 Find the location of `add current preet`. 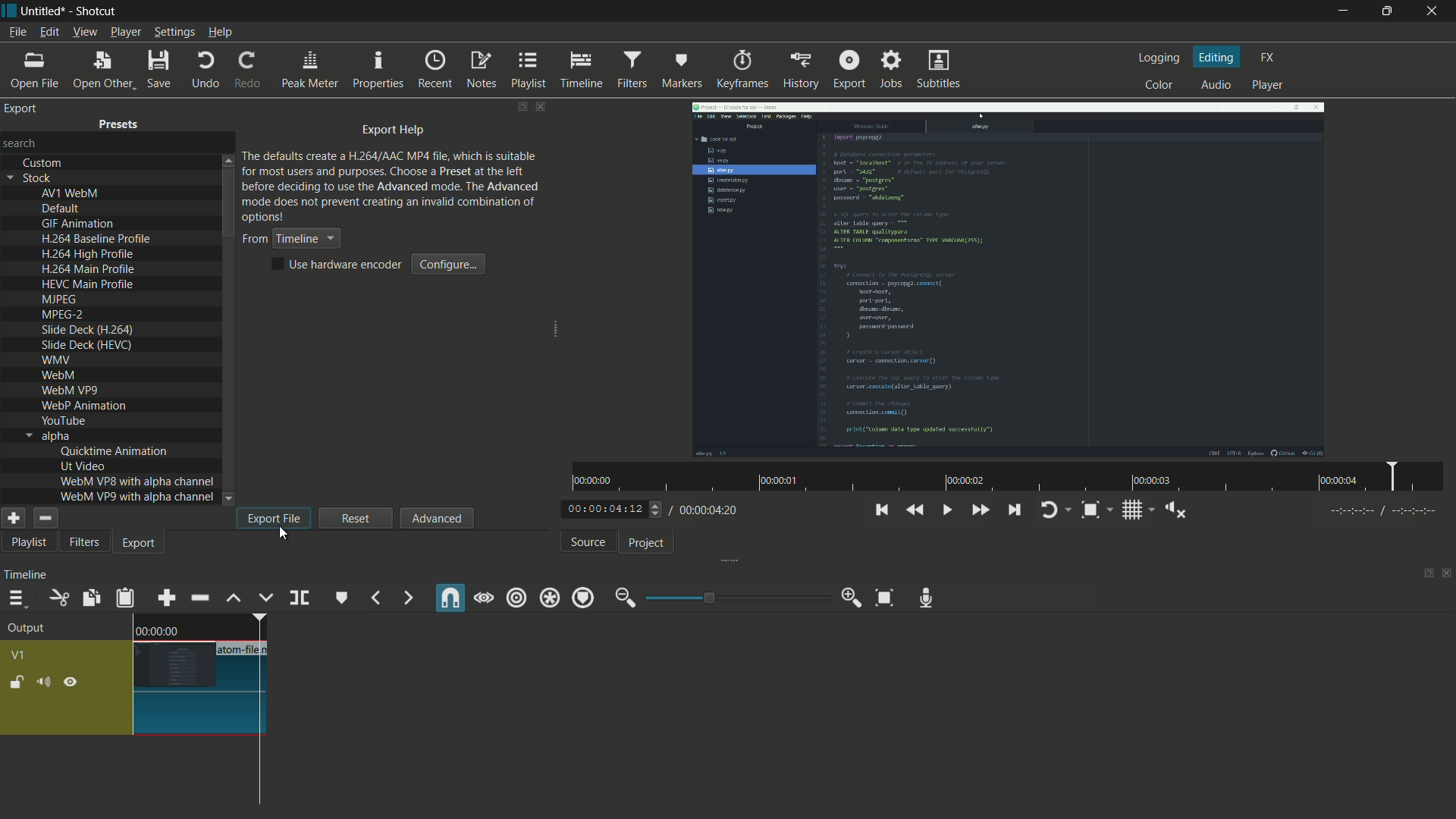

add current preet is located at coordinates (13, 518).